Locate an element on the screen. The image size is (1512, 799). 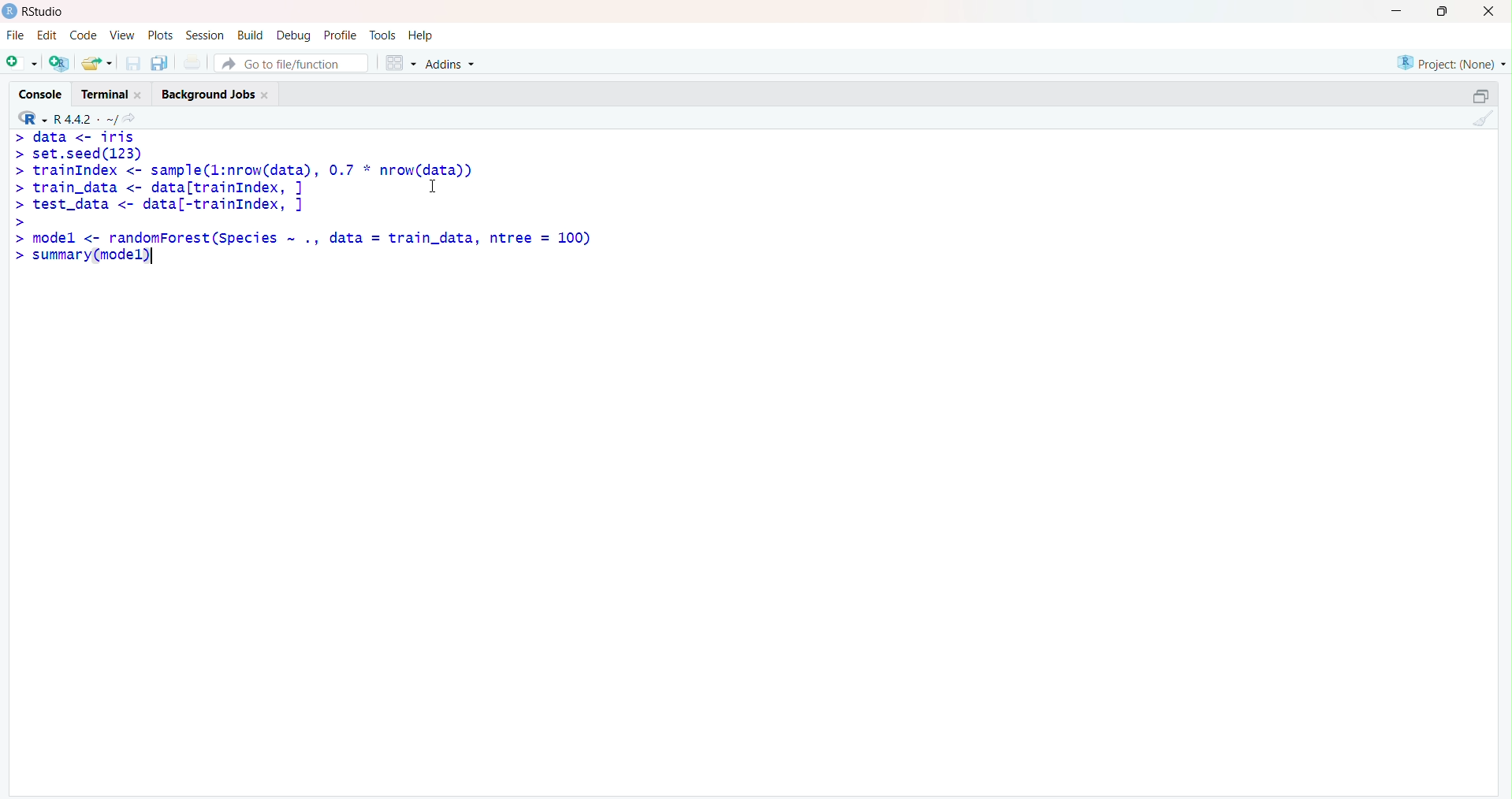
R.4.4.2. ~/ is located at coordinates (87, 117).